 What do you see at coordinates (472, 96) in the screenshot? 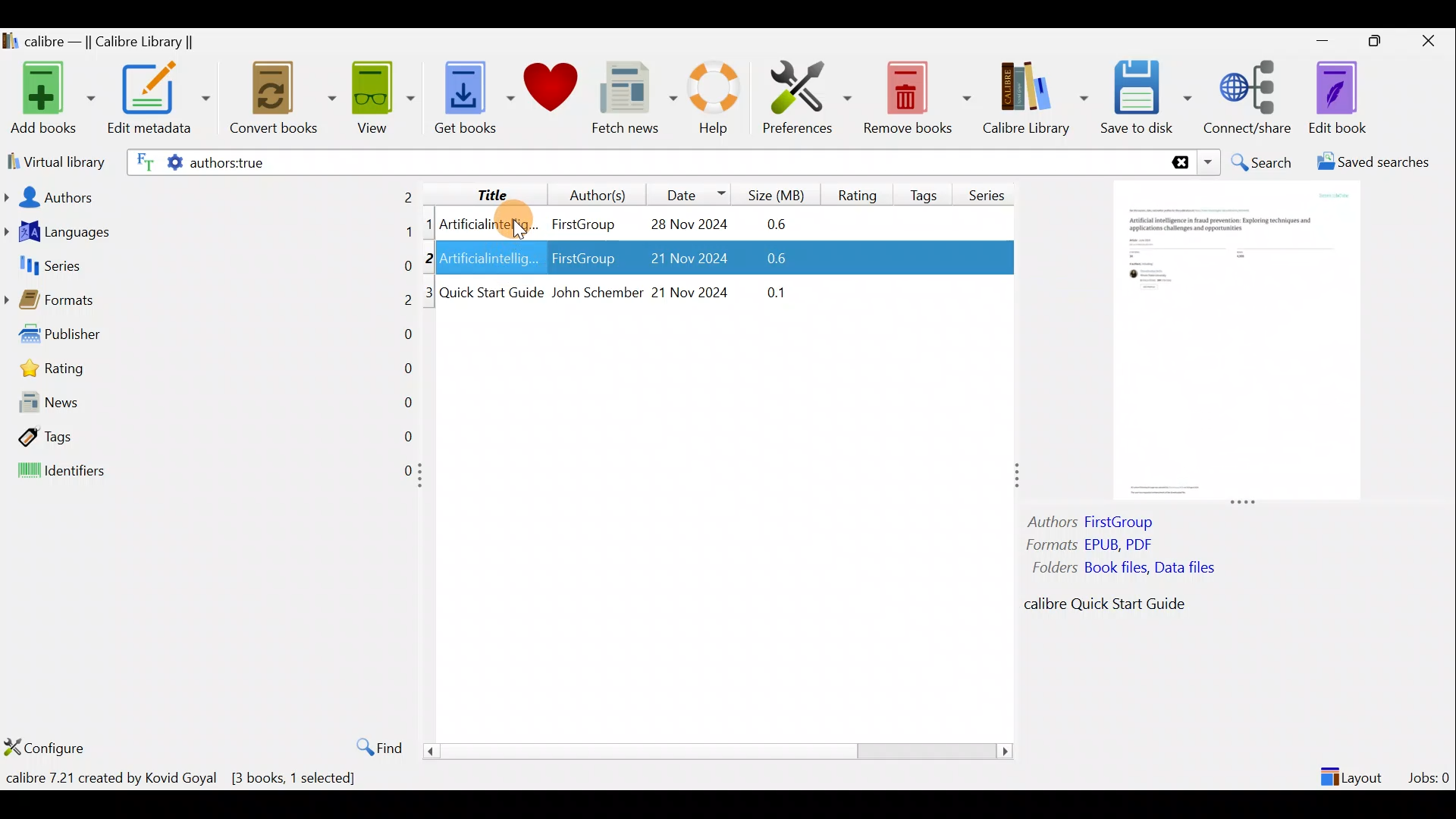
I see `Get books` at bounding box center [472, 96].